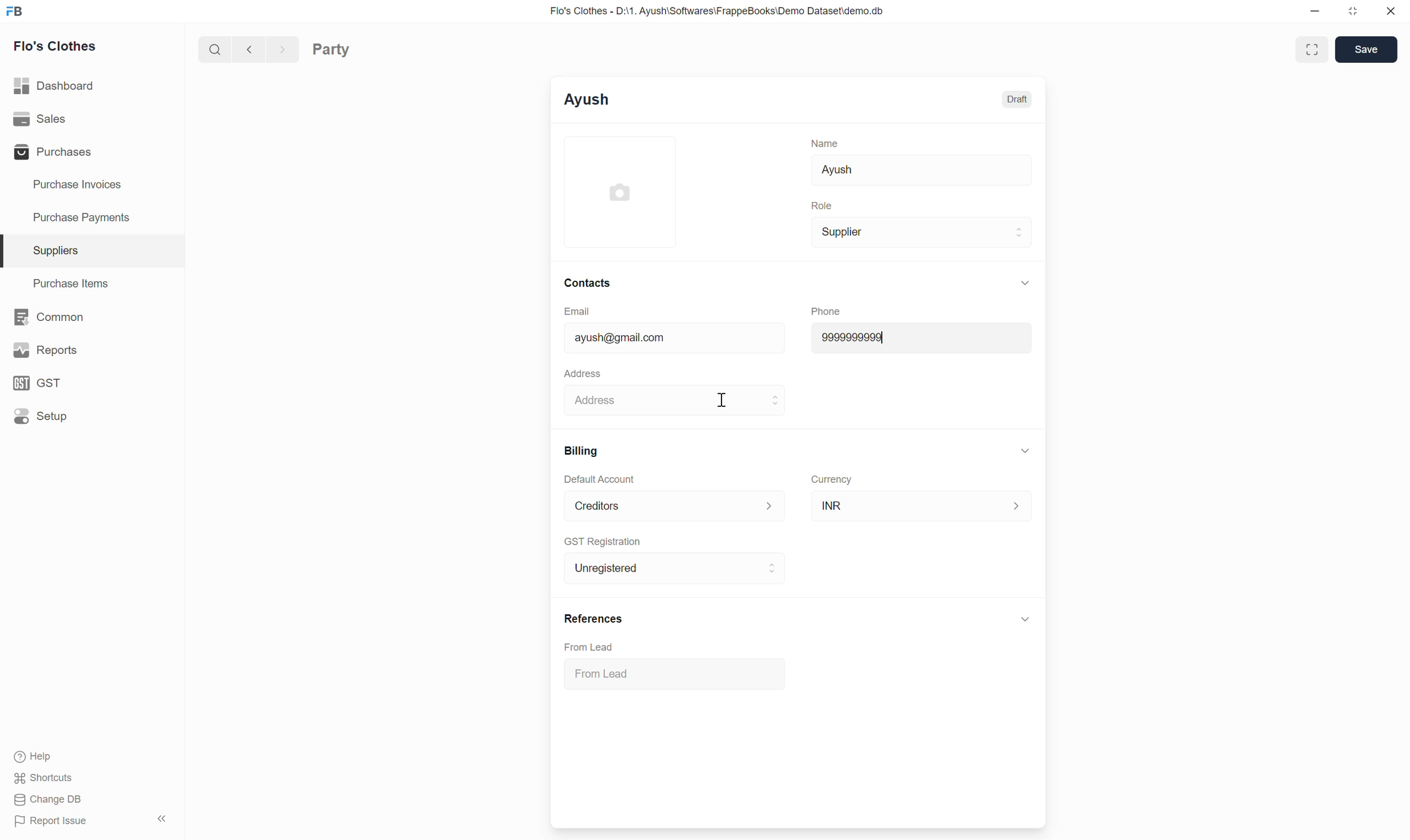 This screenshot has height=840, width=1410. Describe the element at coordinates (1311, 49) in the screenshot. I see `Toggle between form and full width` at that location.